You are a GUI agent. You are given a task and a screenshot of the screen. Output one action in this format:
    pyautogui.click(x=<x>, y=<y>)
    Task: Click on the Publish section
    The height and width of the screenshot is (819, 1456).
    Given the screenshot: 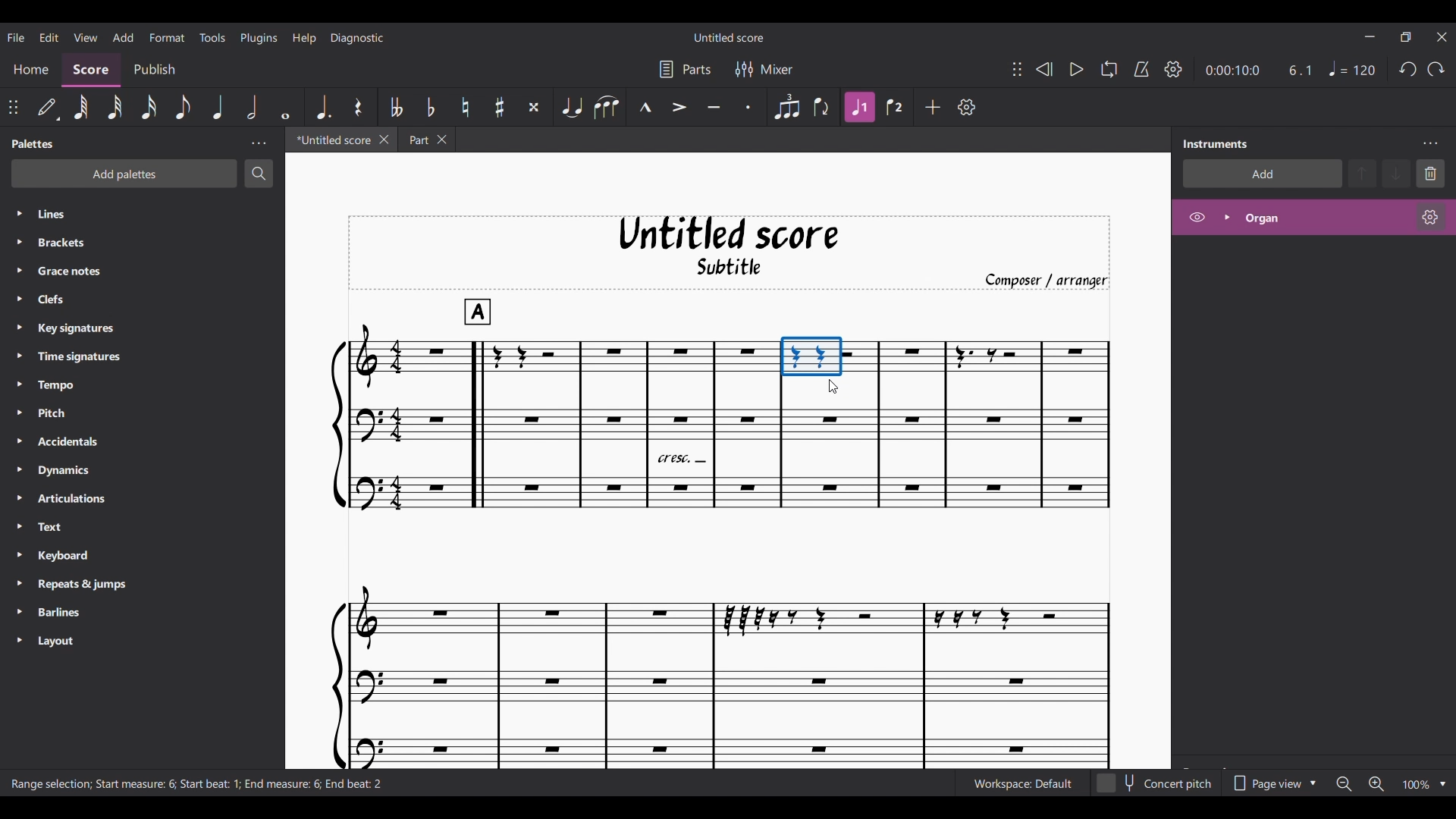 What is the action you would take?
    pyautogui.click(x=154, y=71)
    